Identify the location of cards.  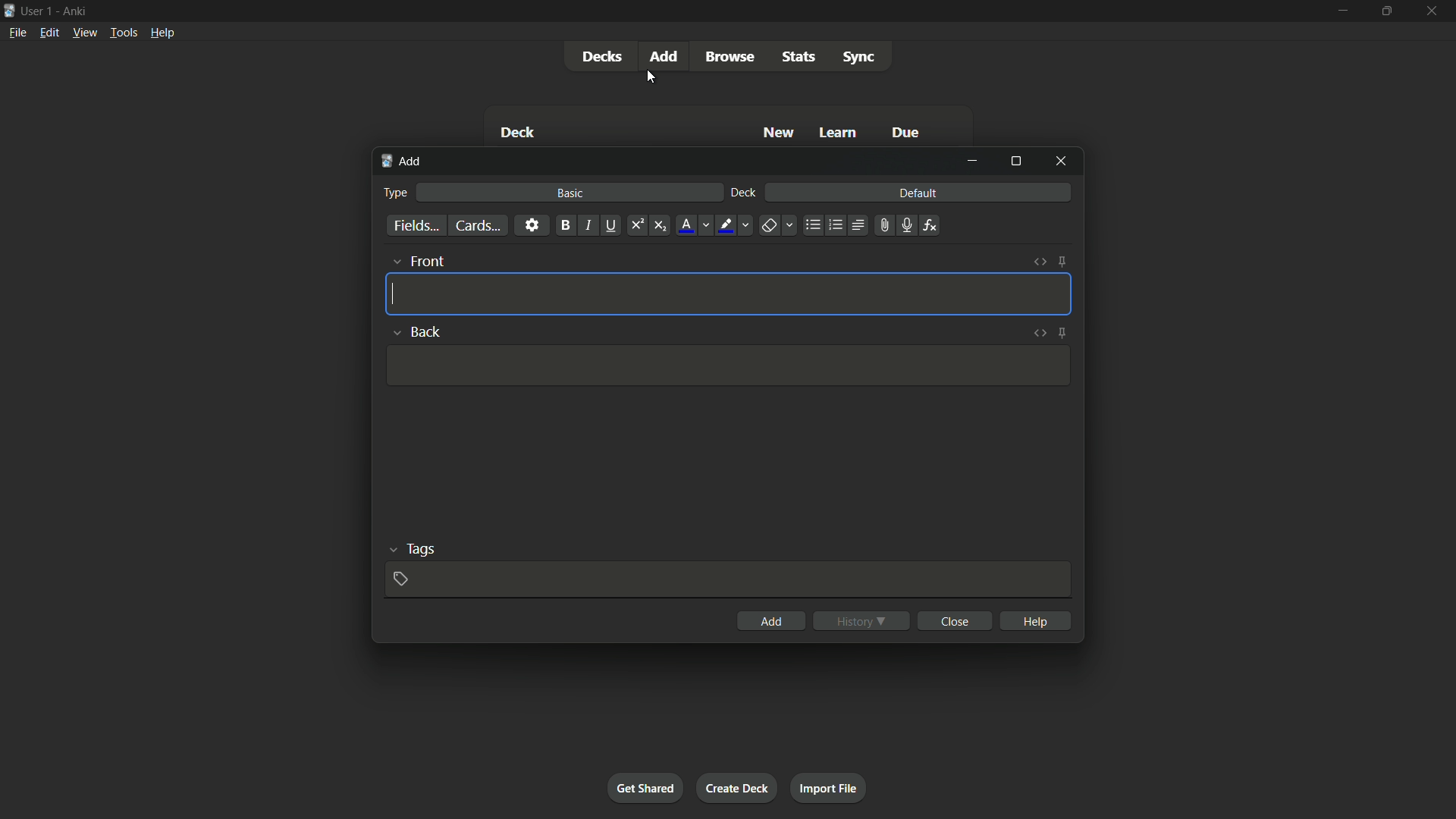
(477, 226).